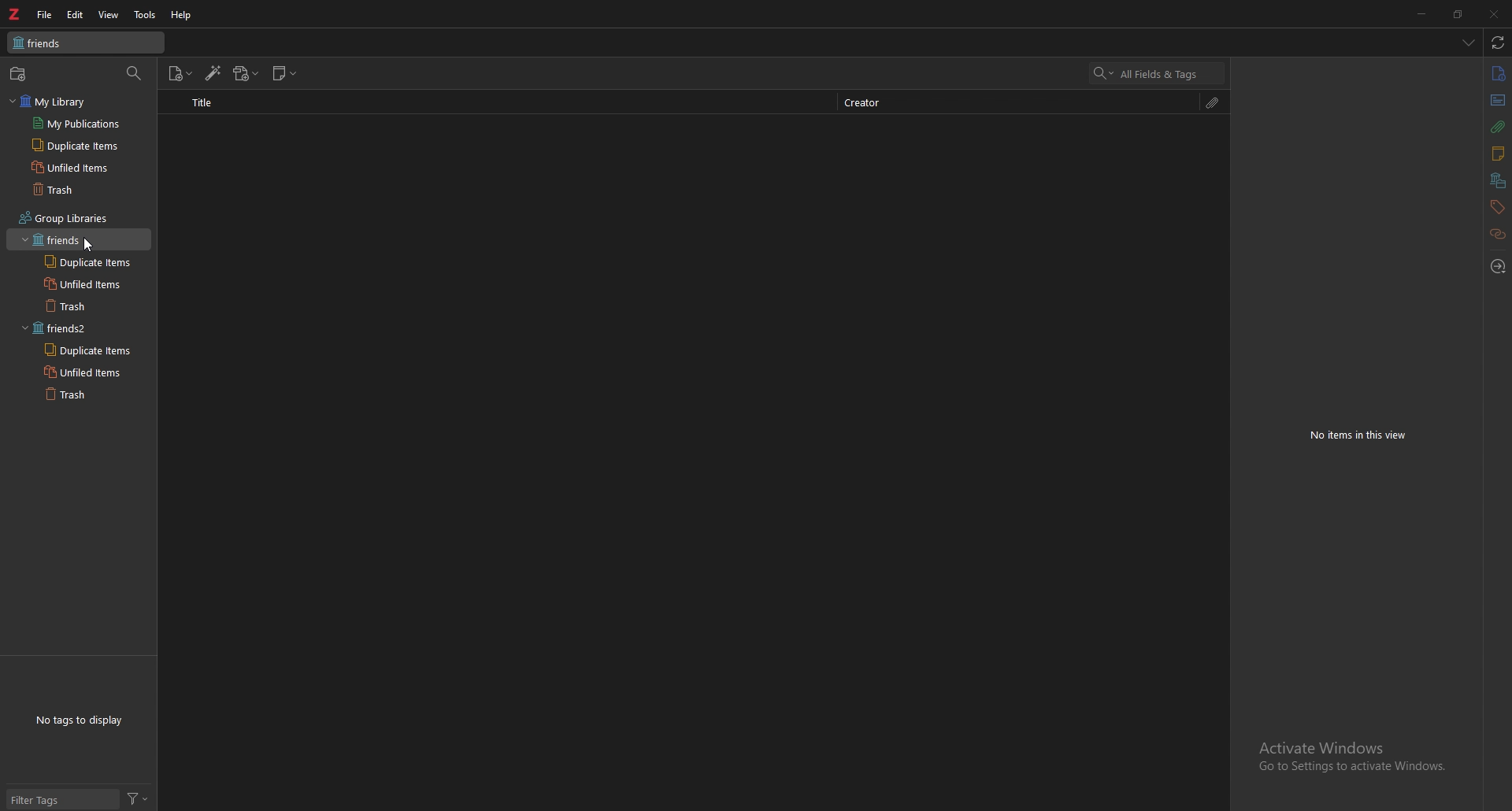  I want to click on help, so click(182, 14).